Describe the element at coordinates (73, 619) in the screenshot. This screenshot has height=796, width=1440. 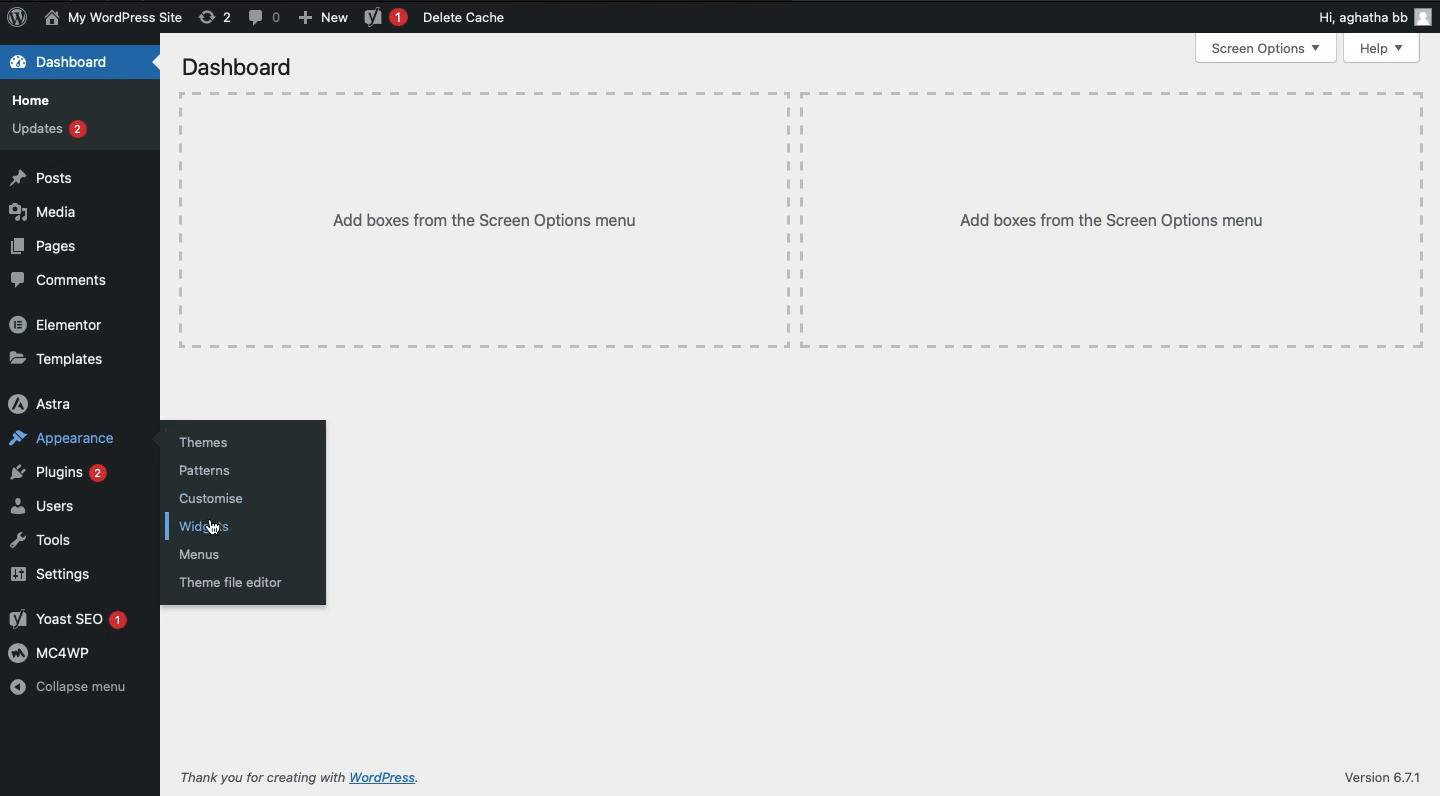
I see `Yoast SEO` at that location.